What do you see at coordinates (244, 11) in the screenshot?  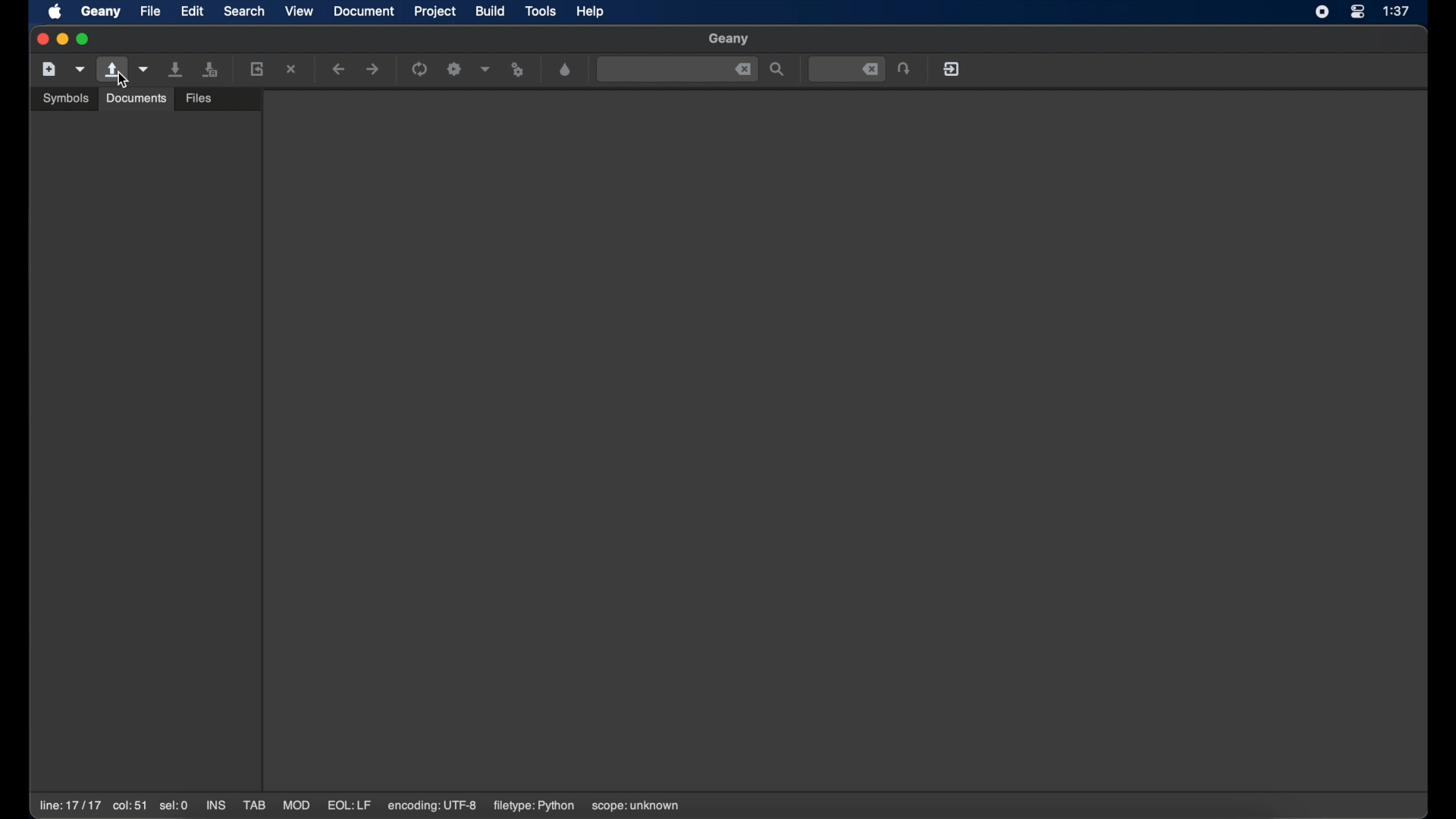 I see `search` at bounding box center [244, 11].